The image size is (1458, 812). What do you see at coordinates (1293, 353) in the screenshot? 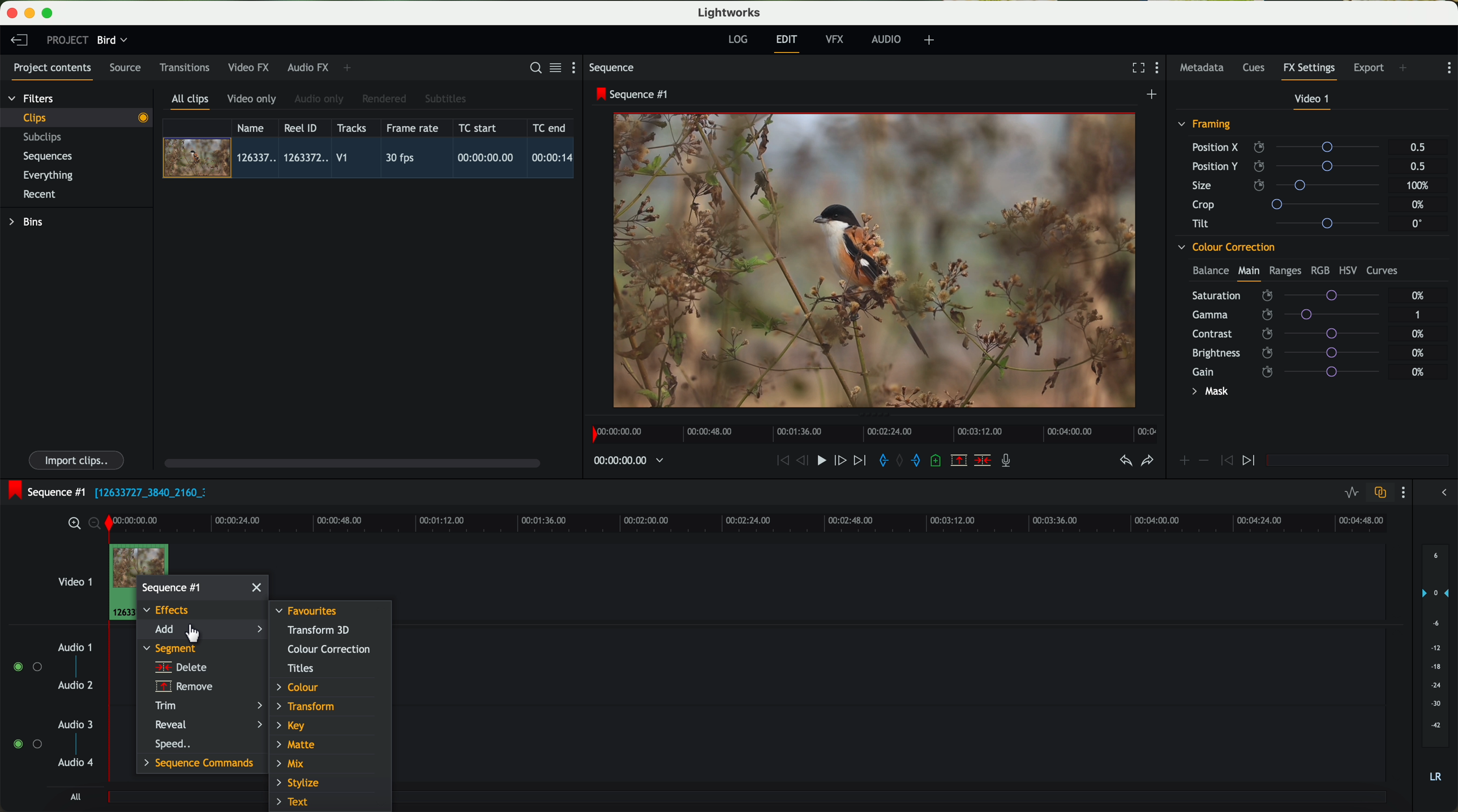
I see `brightness` at bounding box center [1293, 353].